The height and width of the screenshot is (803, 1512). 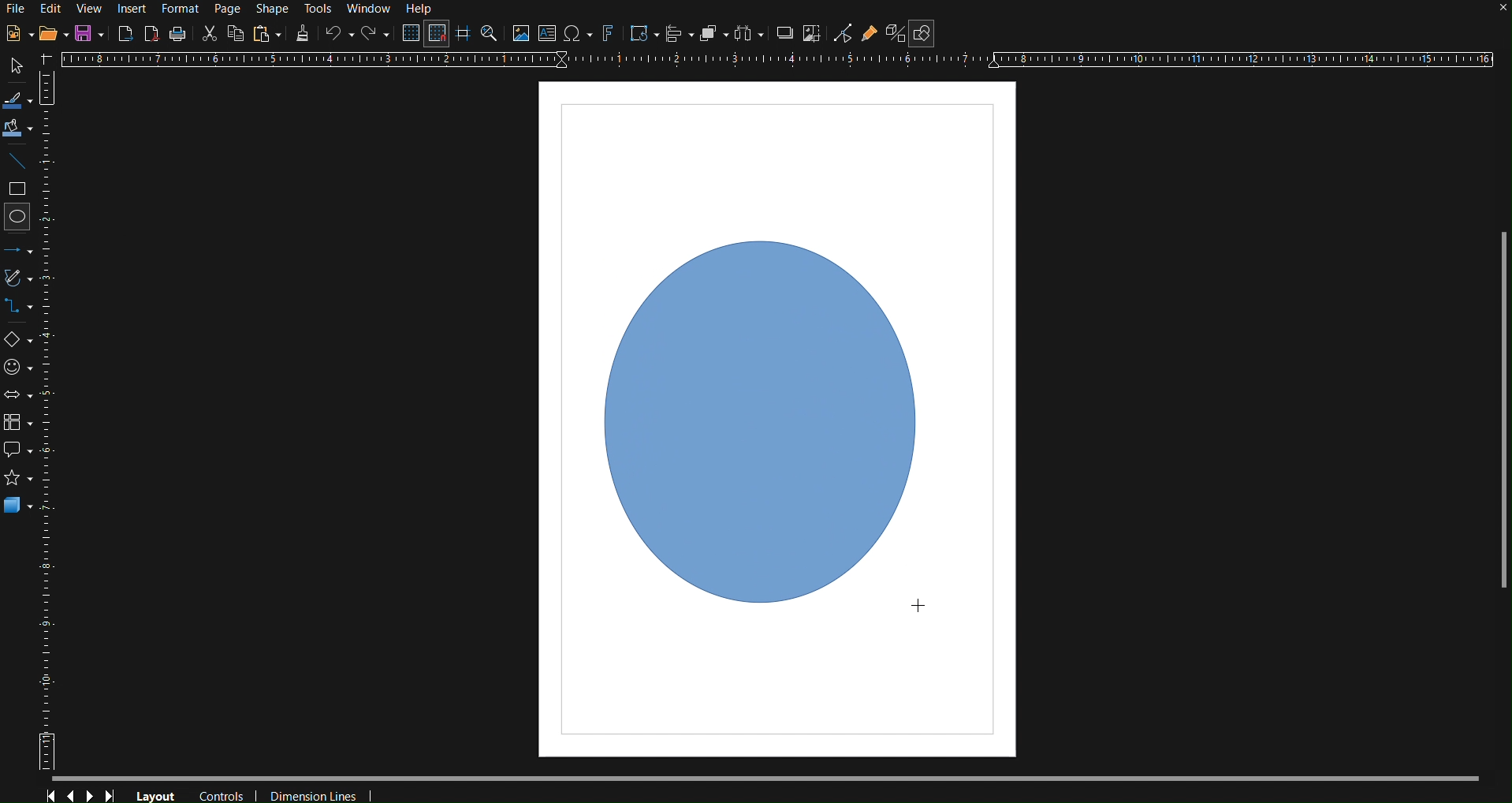 What do you see at coordinates (15, 35) in the screenshot?
I see `New` at bounding box center [15, 35].